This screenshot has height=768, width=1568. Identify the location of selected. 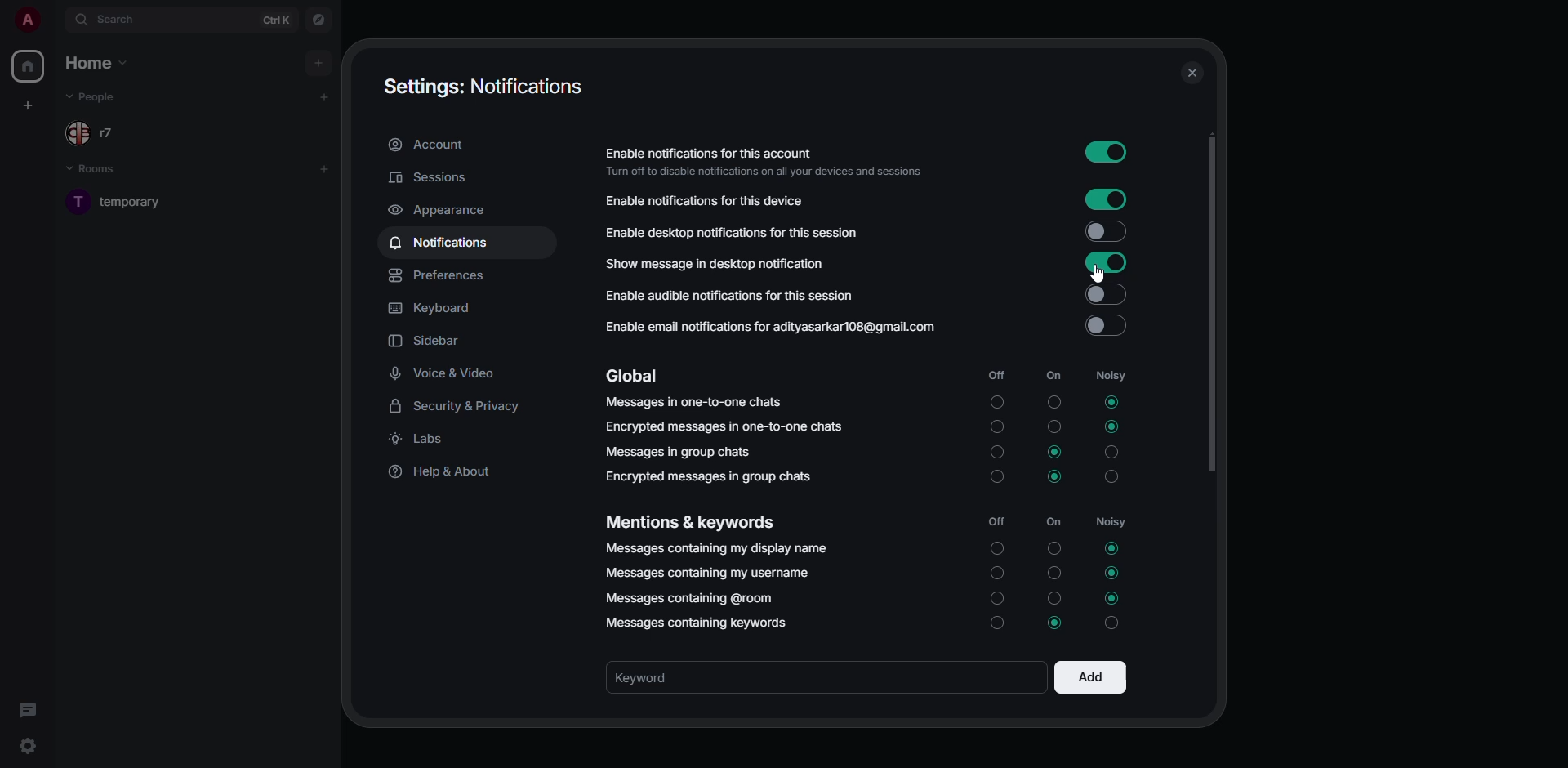
(1110, 548).